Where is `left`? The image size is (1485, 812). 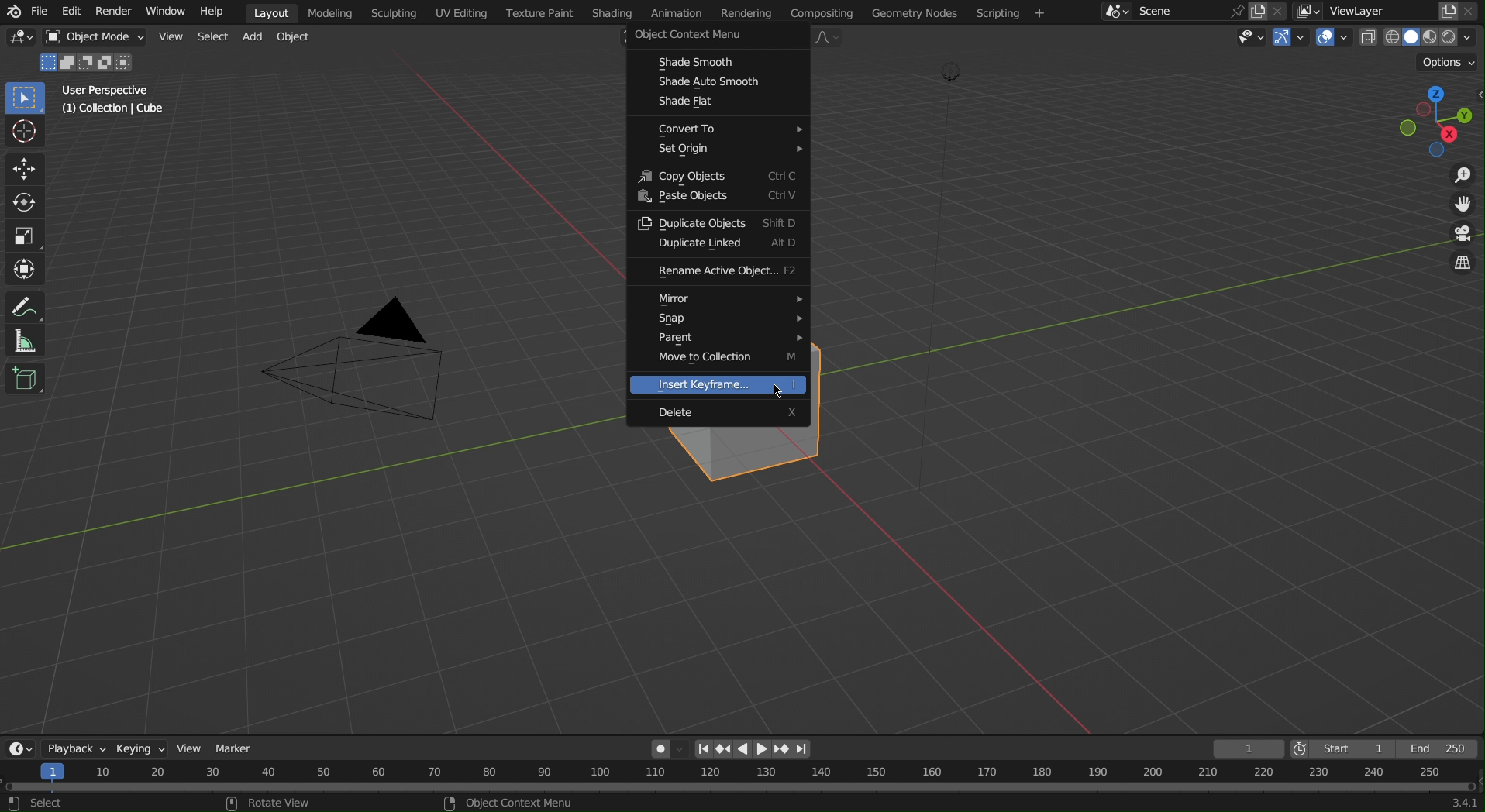
left is located at coordinates (742, 749).